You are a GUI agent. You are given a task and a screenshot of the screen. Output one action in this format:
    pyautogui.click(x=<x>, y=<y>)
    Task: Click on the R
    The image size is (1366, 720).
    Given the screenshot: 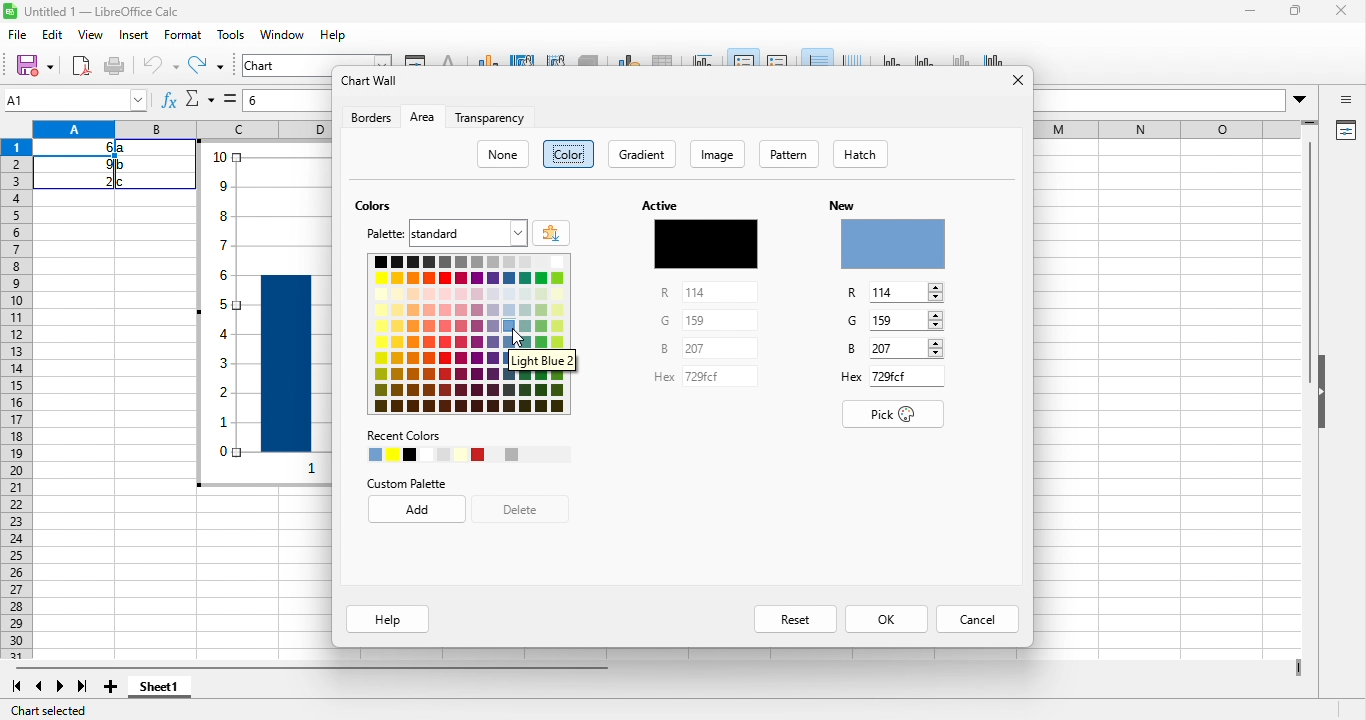 What is the action you would take?
    pyautogui.click(x=665, y=296)
    